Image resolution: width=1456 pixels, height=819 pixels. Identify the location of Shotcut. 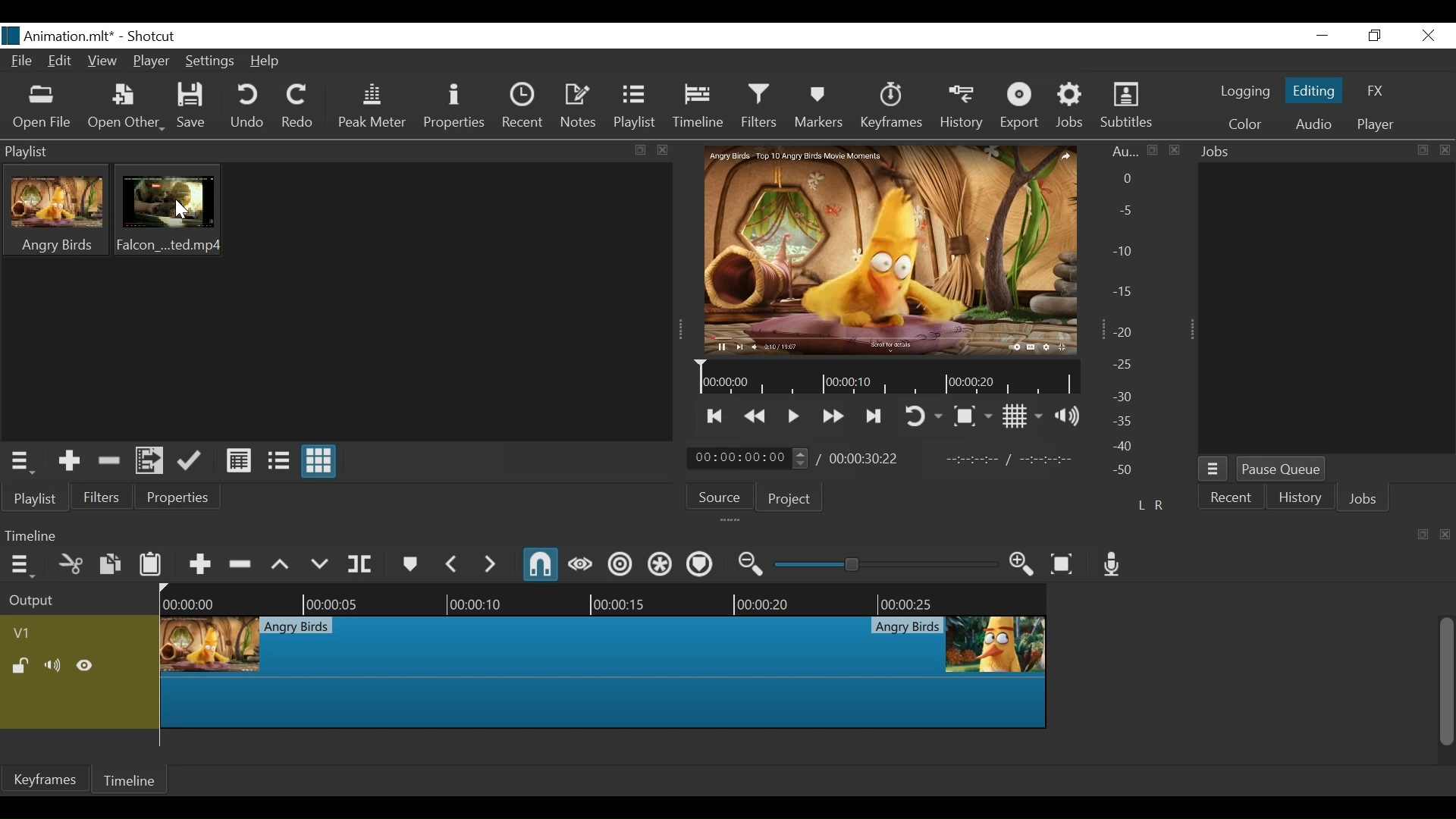
(156, 37).